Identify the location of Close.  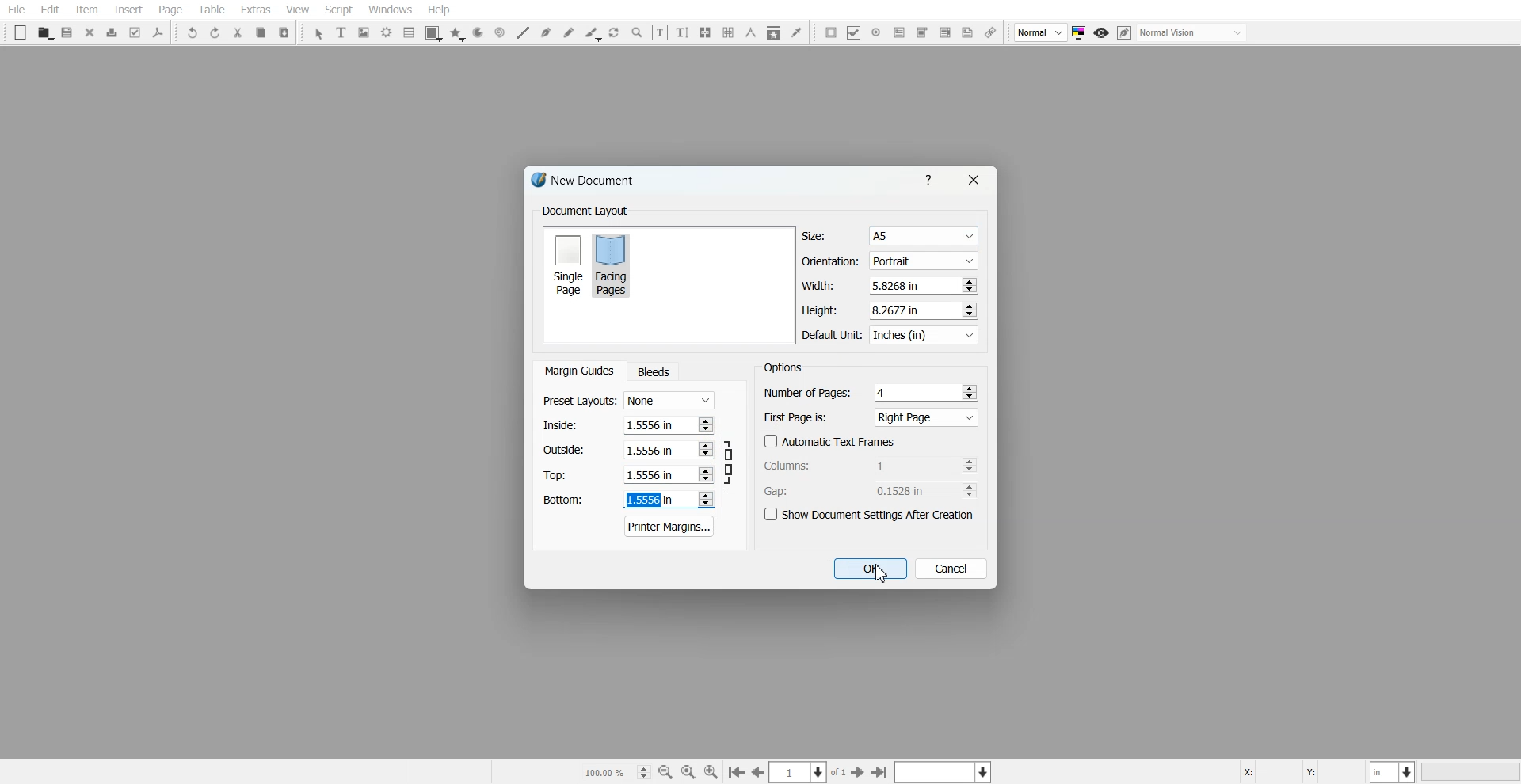
(972, 180).